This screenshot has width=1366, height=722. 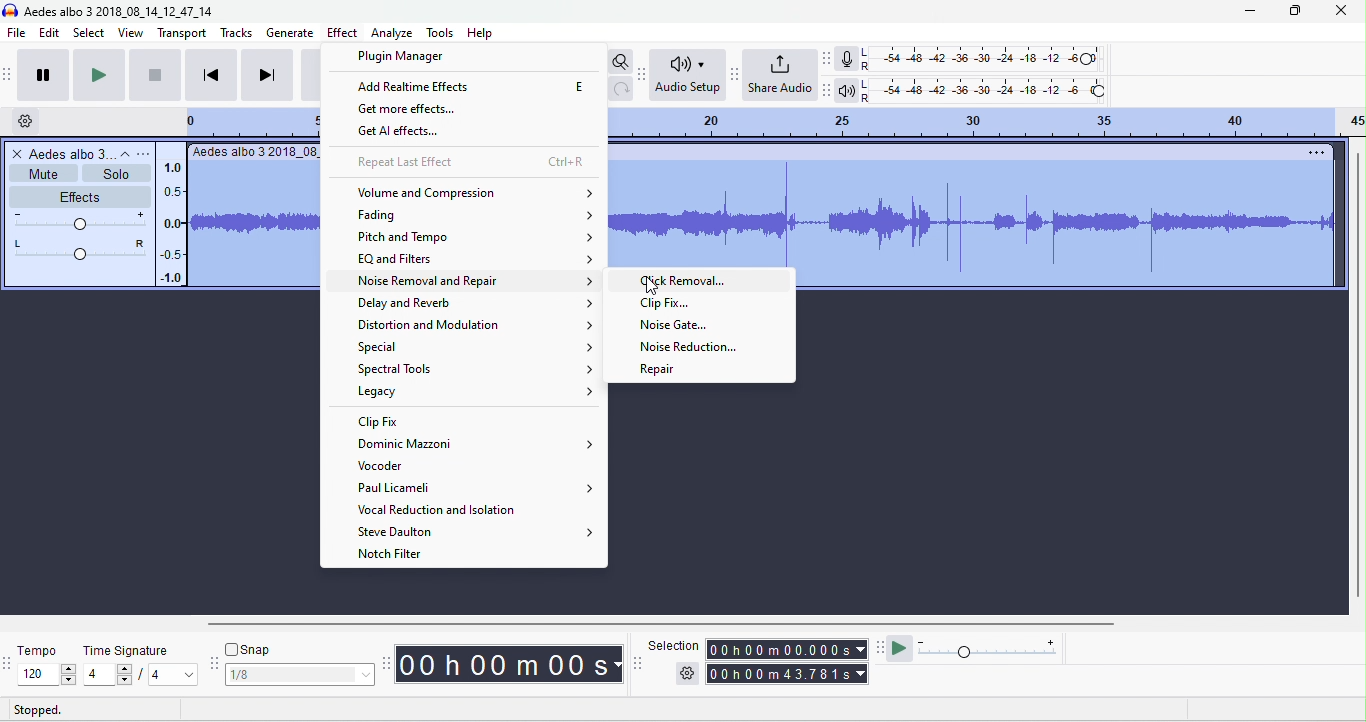 I want to click on redo, so click(x=622, y=89).